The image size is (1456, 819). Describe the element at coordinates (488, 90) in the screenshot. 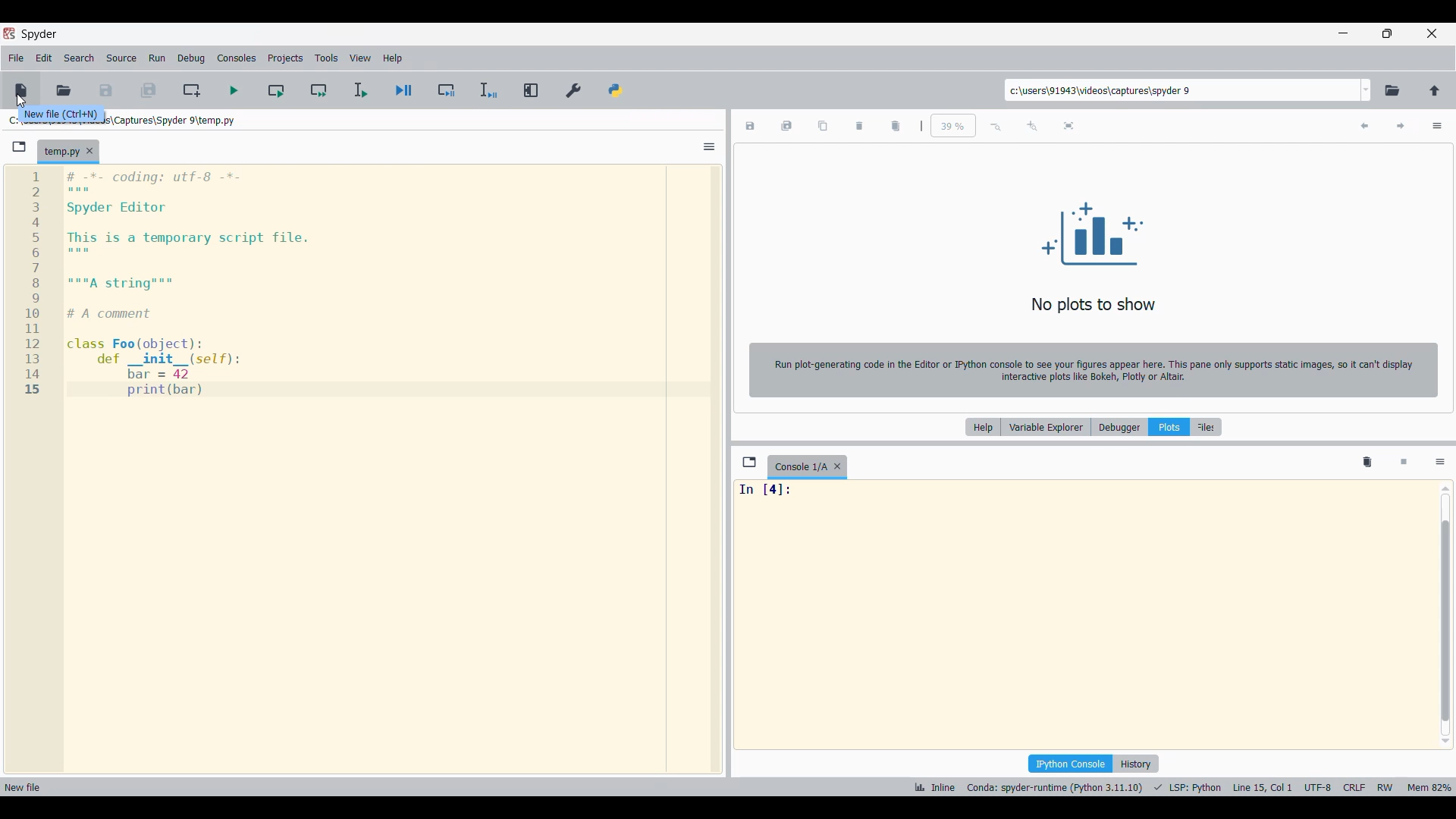

I see `Debug selection/current line` at that location.